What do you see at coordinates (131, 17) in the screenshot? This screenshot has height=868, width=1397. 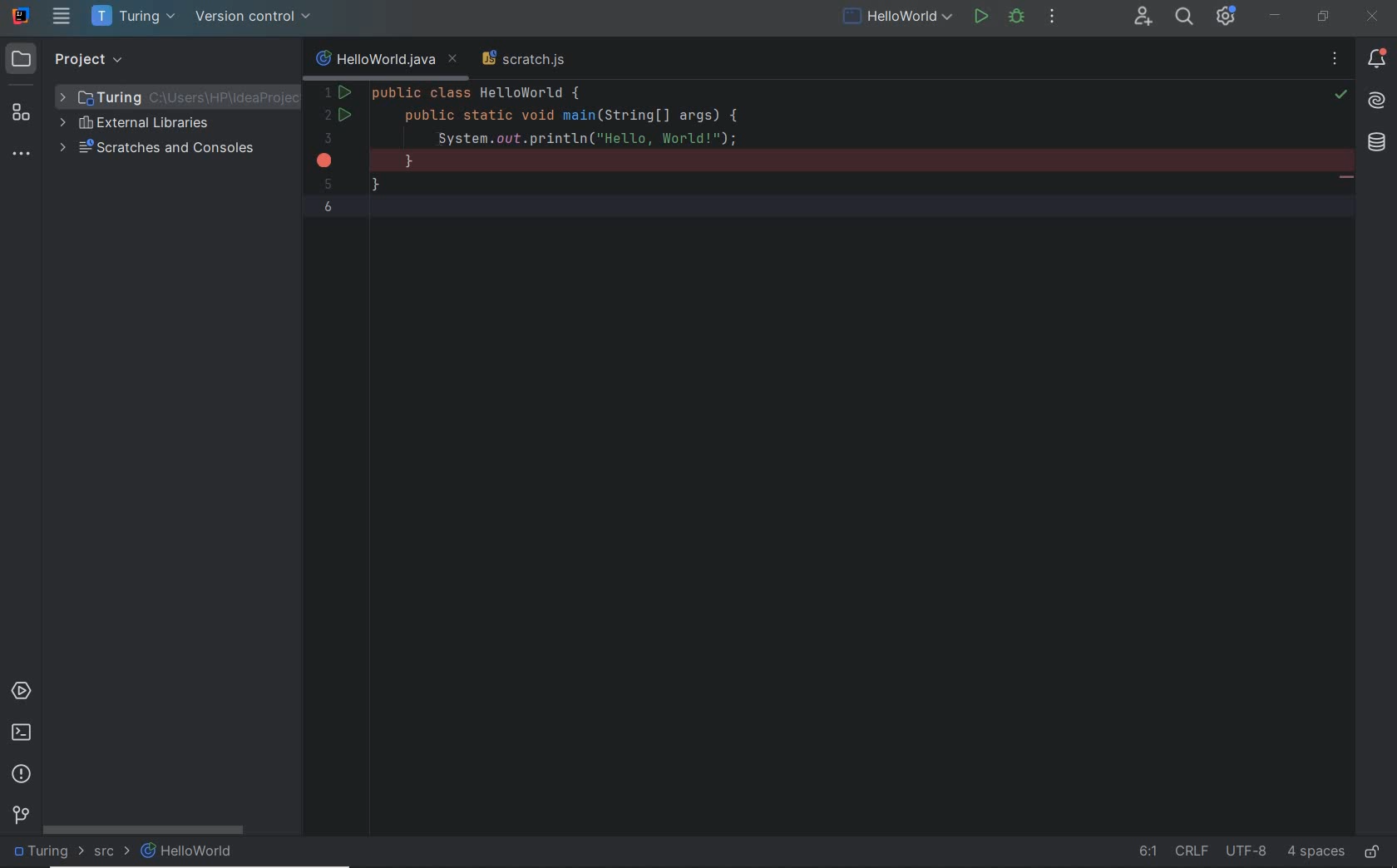 I see `project name` at bounding box center [131, 17].